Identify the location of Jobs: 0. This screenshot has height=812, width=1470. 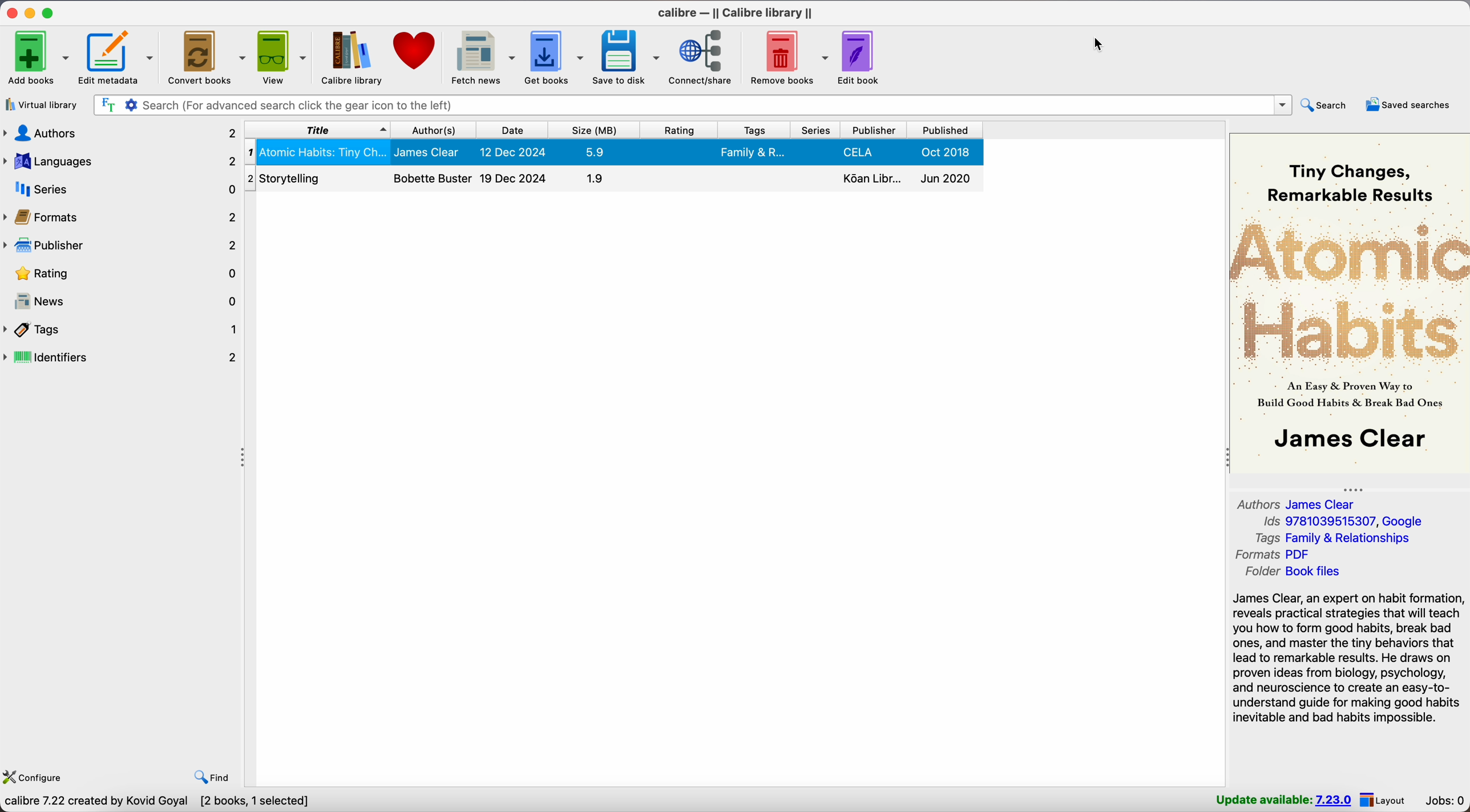
(1445, 801).